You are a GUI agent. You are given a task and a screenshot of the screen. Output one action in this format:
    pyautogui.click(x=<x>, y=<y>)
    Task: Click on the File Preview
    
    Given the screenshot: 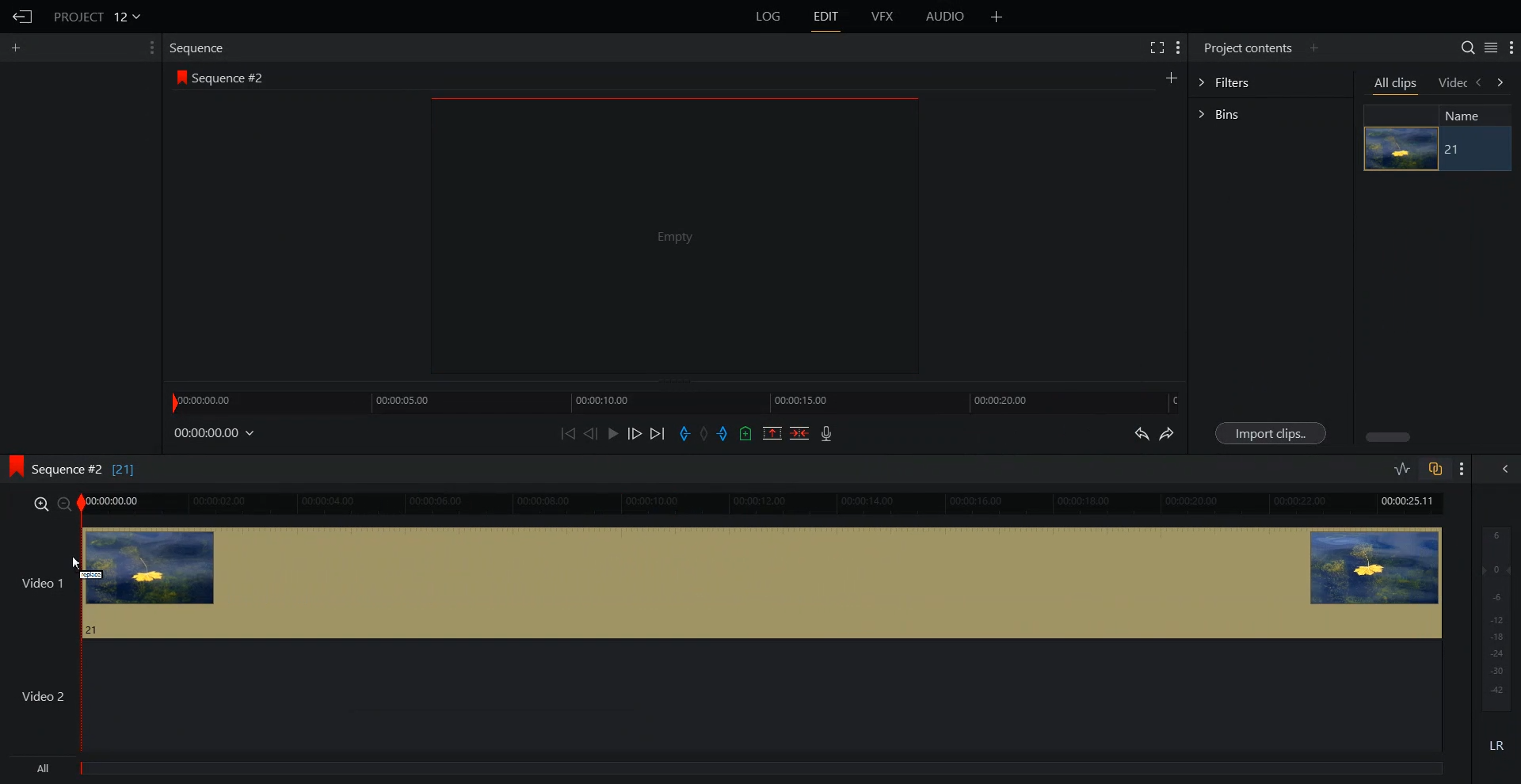 What is the action you would take?
    pyautogui.click(x=665, y=236)
    